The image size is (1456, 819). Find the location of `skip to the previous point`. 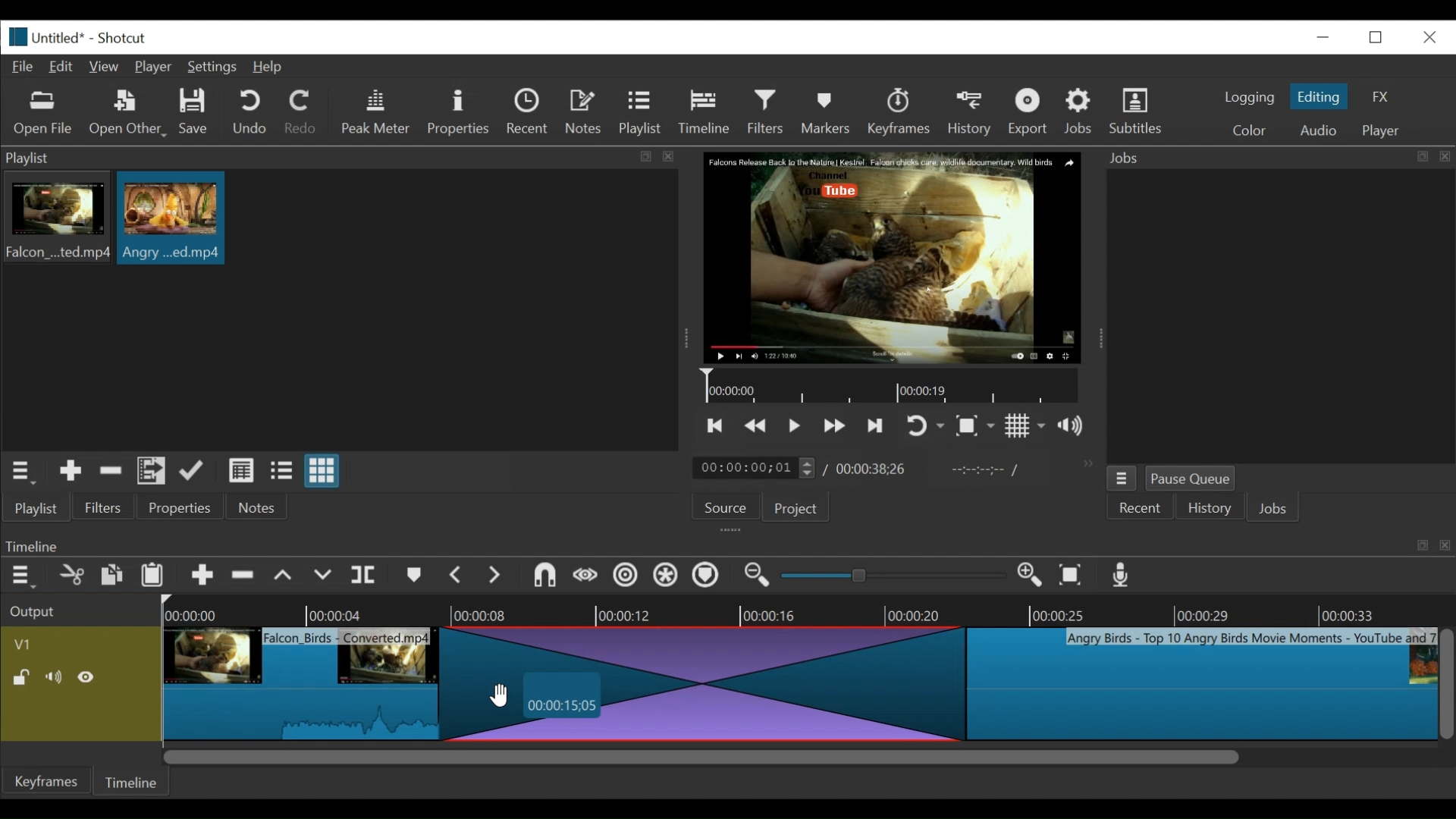

skip to the previous point is located at coordinates (715, 426).